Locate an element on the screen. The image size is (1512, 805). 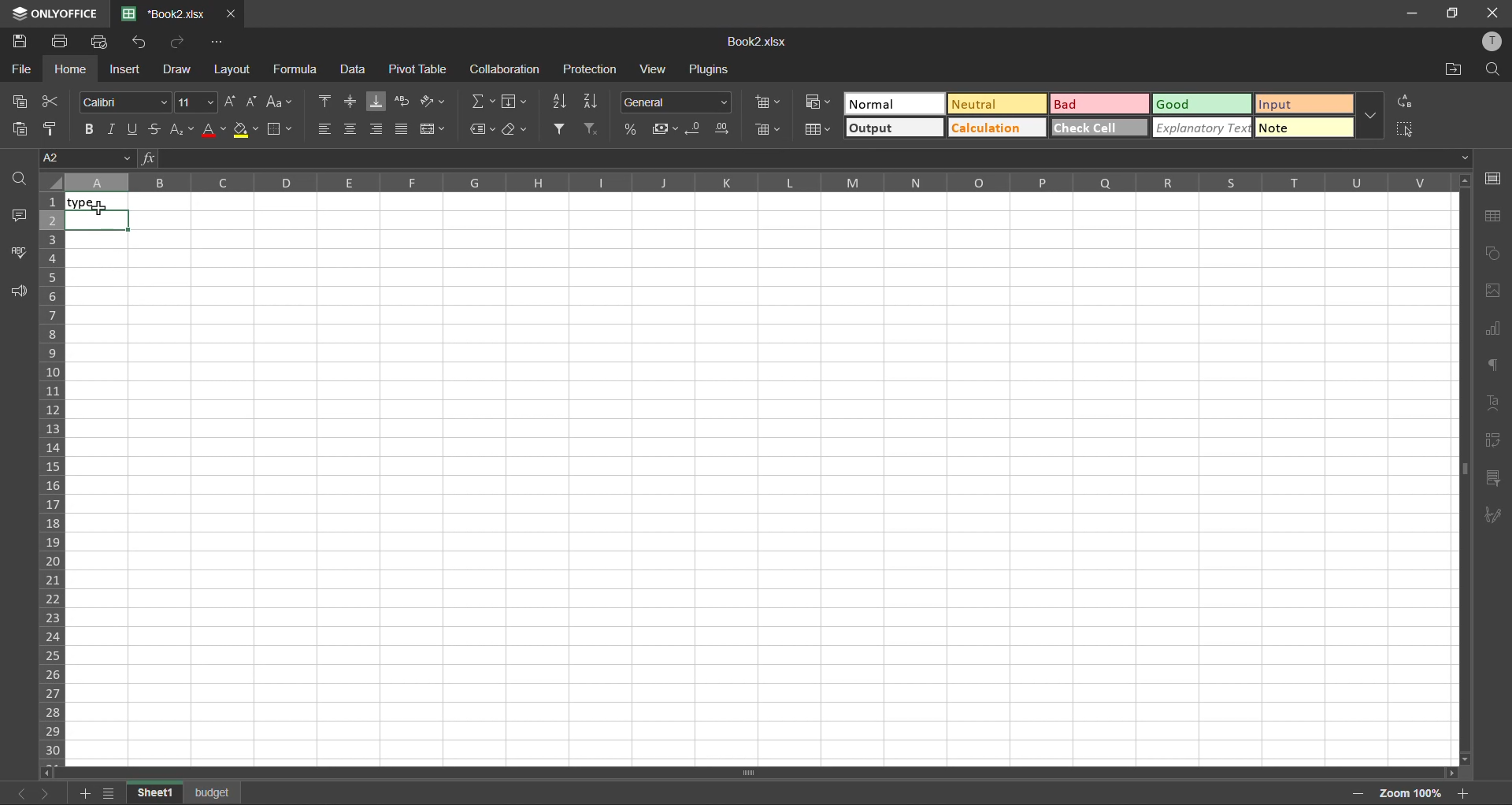
bold is located at coordinates (91, 128).